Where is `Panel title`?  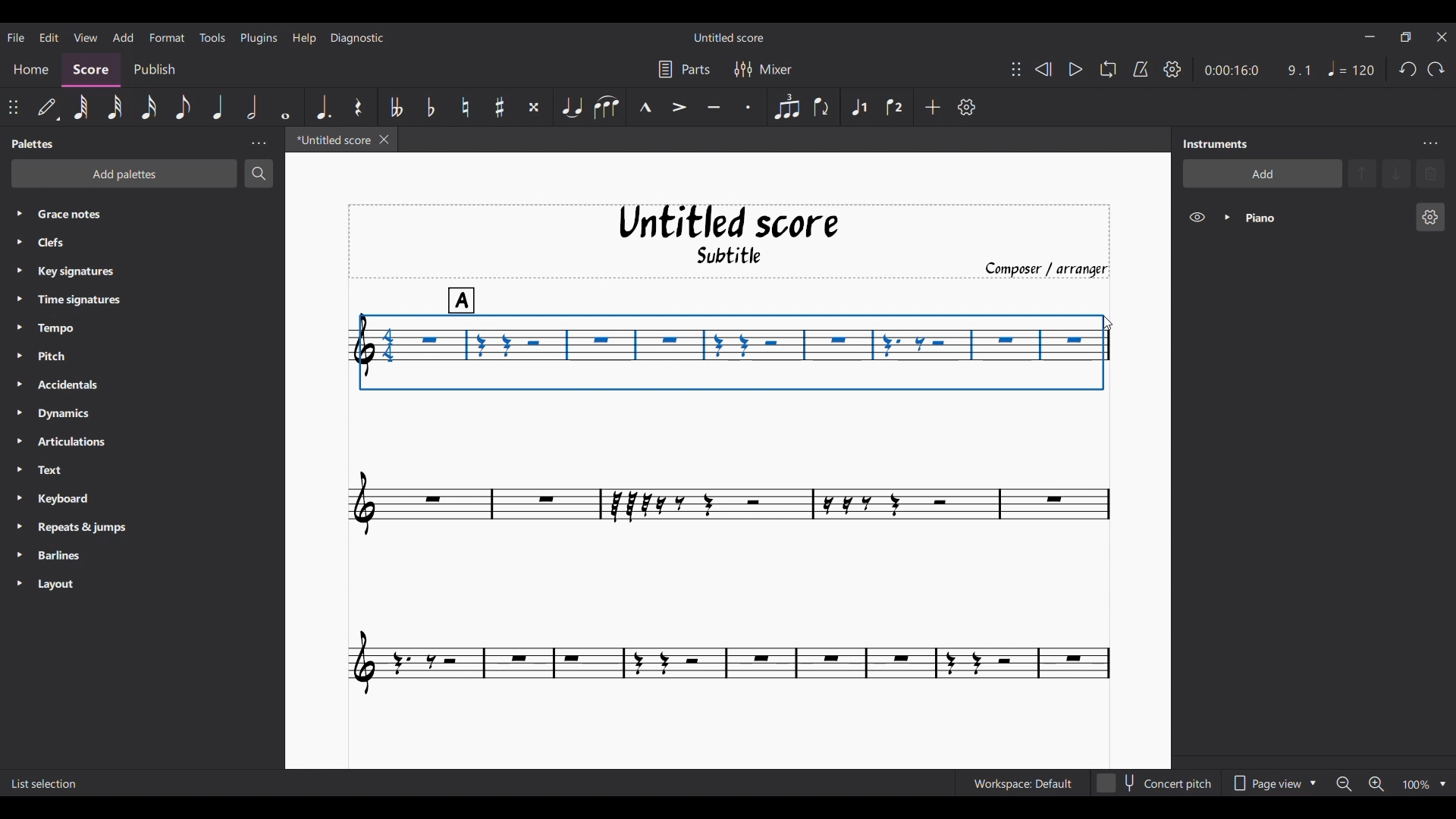 Panel title is located at coordinates (1219, 144).